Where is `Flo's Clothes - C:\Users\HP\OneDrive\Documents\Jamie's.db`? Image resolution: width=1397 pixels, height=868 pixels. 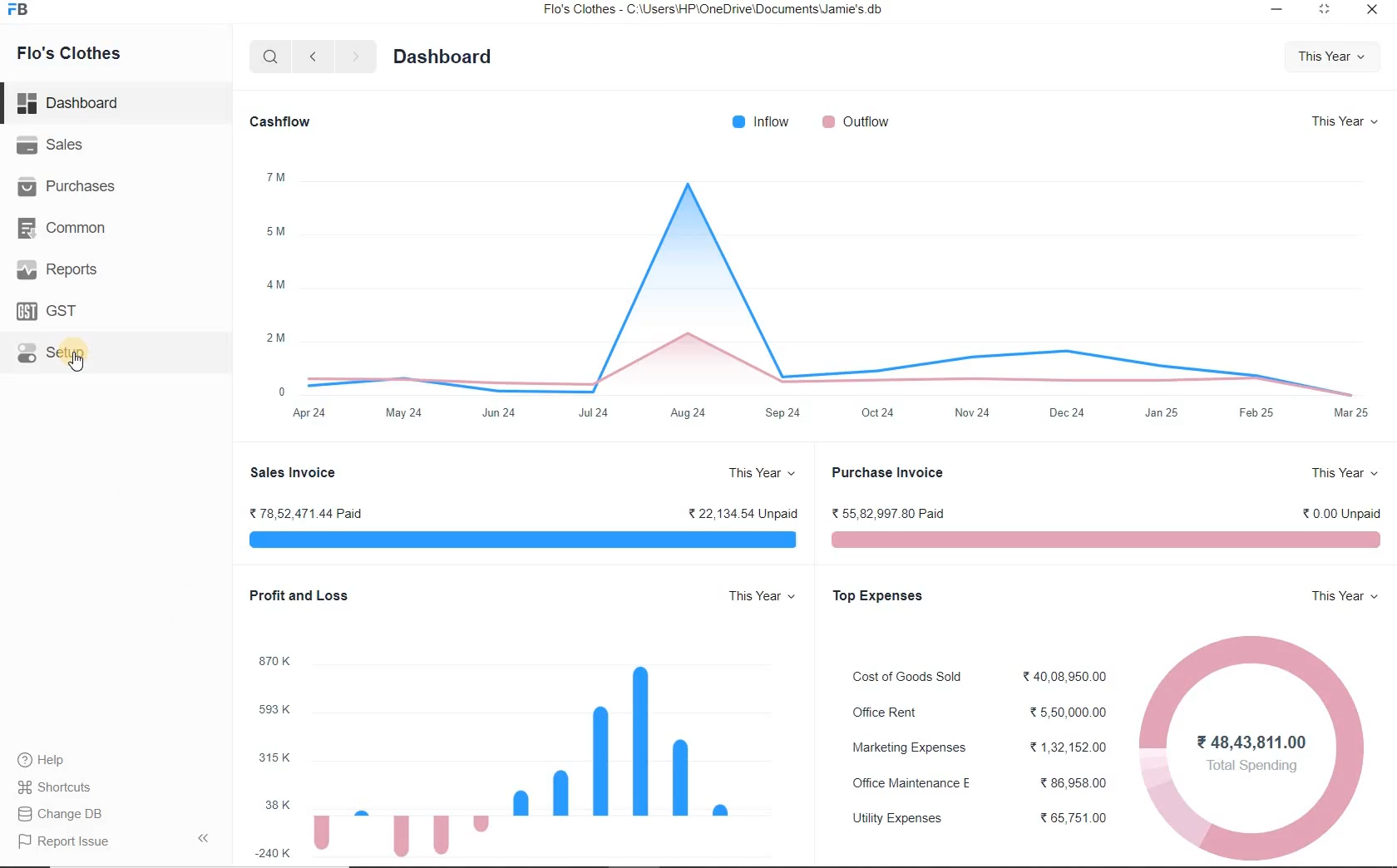
Flo's Clothes - C:\Users\HP\OneDrive\Documents\Jamie's.db is located at coordinates (714, 12).